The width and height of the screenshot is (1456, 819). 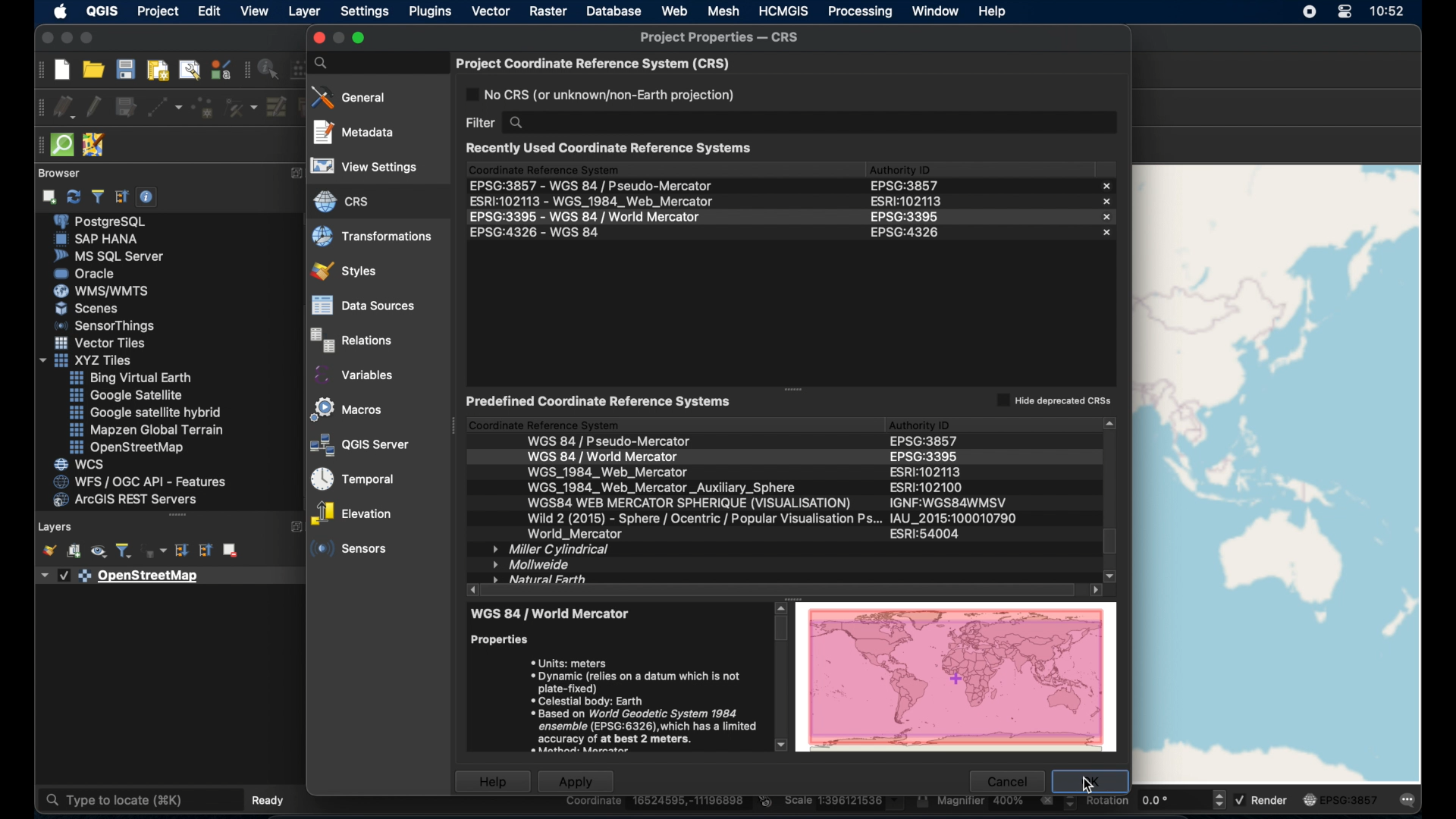 What do you see at coordinates (176, 516) in the screenshot?
I see `drag handle` at bounding box center [176, 516].